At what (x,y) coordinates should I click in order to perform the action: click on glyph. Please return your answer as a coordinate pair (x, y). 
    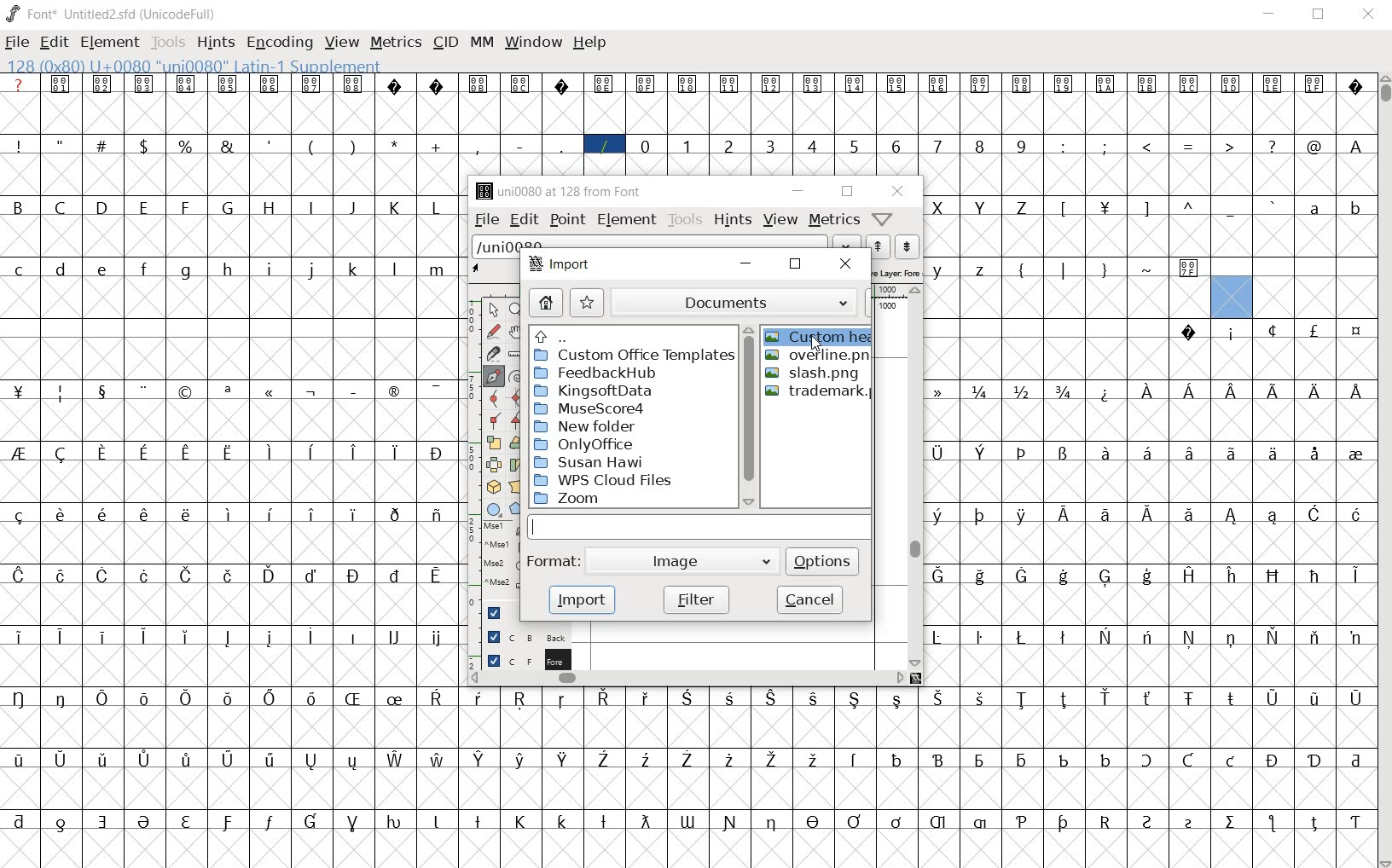
    Looking at the image, I should click on (187, 698).